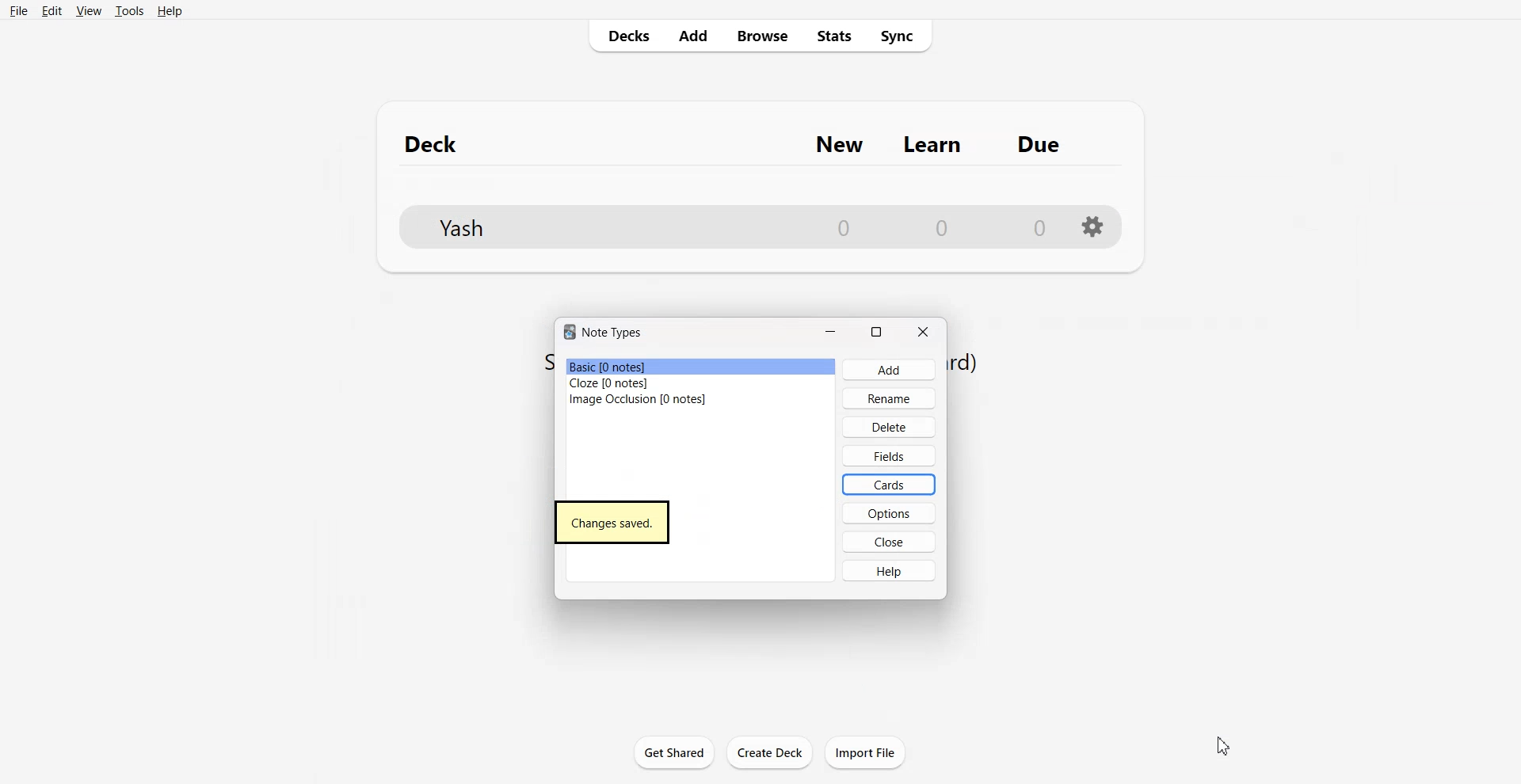  What do you see at coordinates (889, 455) in the screenshot?
I see `Fields` at bounding box center [889, 455].